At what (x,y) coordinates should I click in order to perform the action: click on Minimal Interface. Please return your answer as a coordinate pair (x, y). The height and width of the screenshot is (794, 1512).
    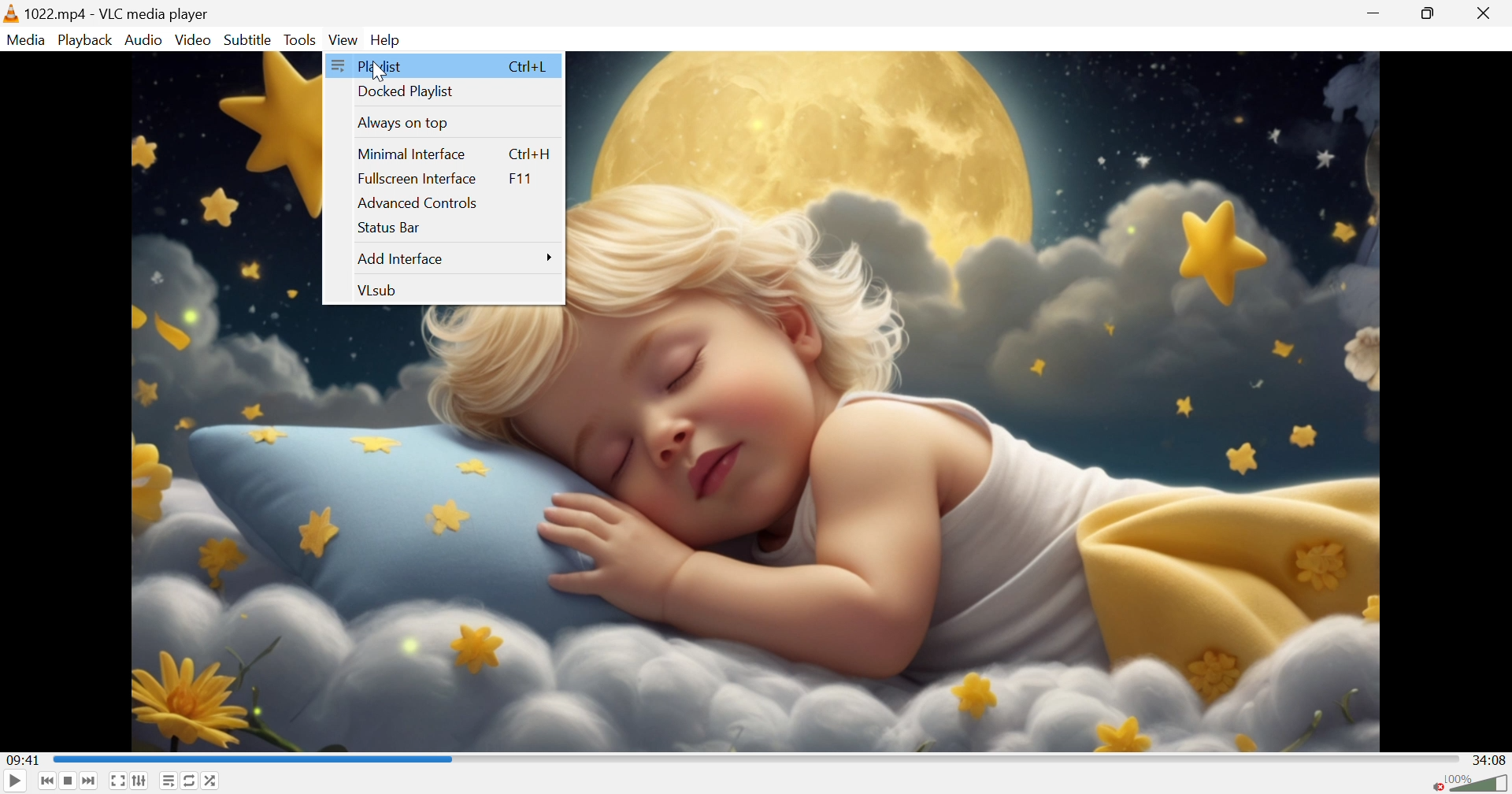
    Looking at the image, I should click on (457, 153).